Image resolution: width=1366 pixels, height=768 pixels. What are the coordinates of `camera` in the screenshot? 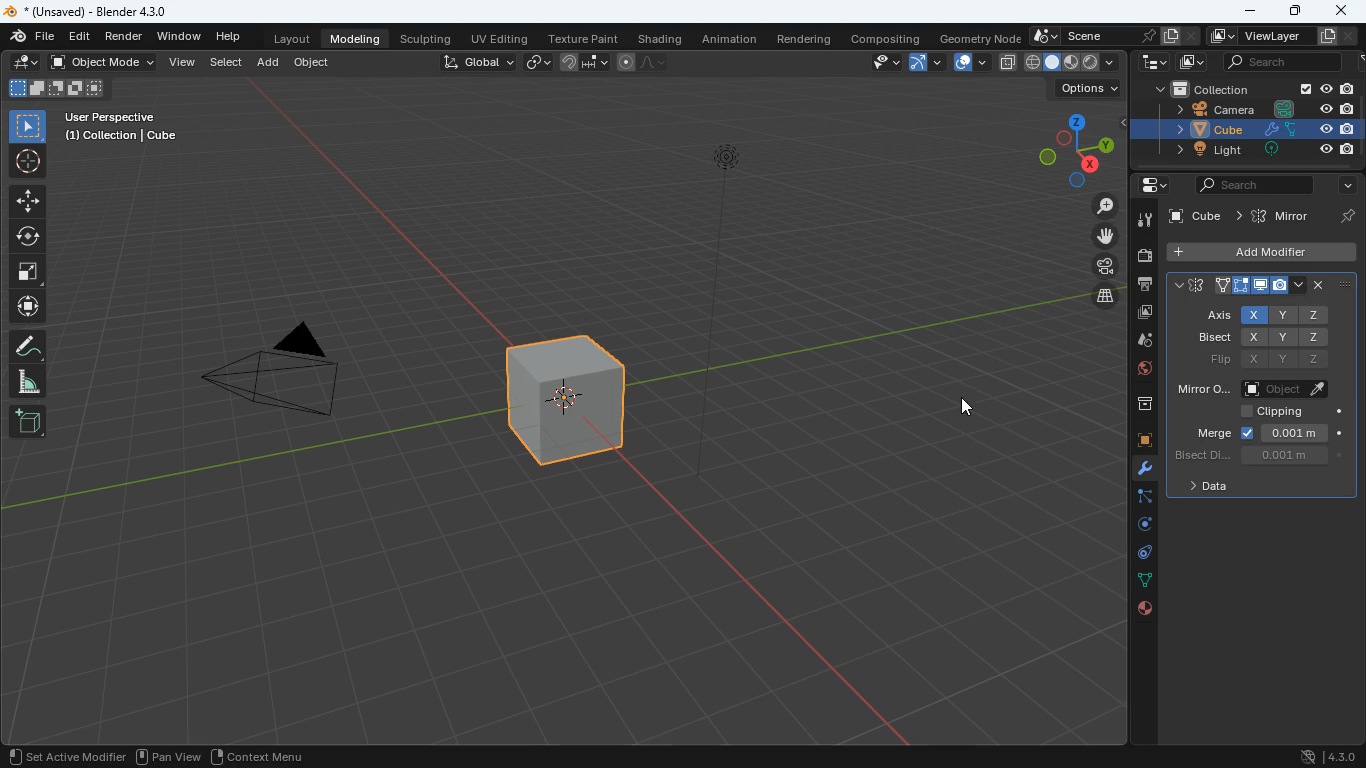 It's located at (1200, 108).